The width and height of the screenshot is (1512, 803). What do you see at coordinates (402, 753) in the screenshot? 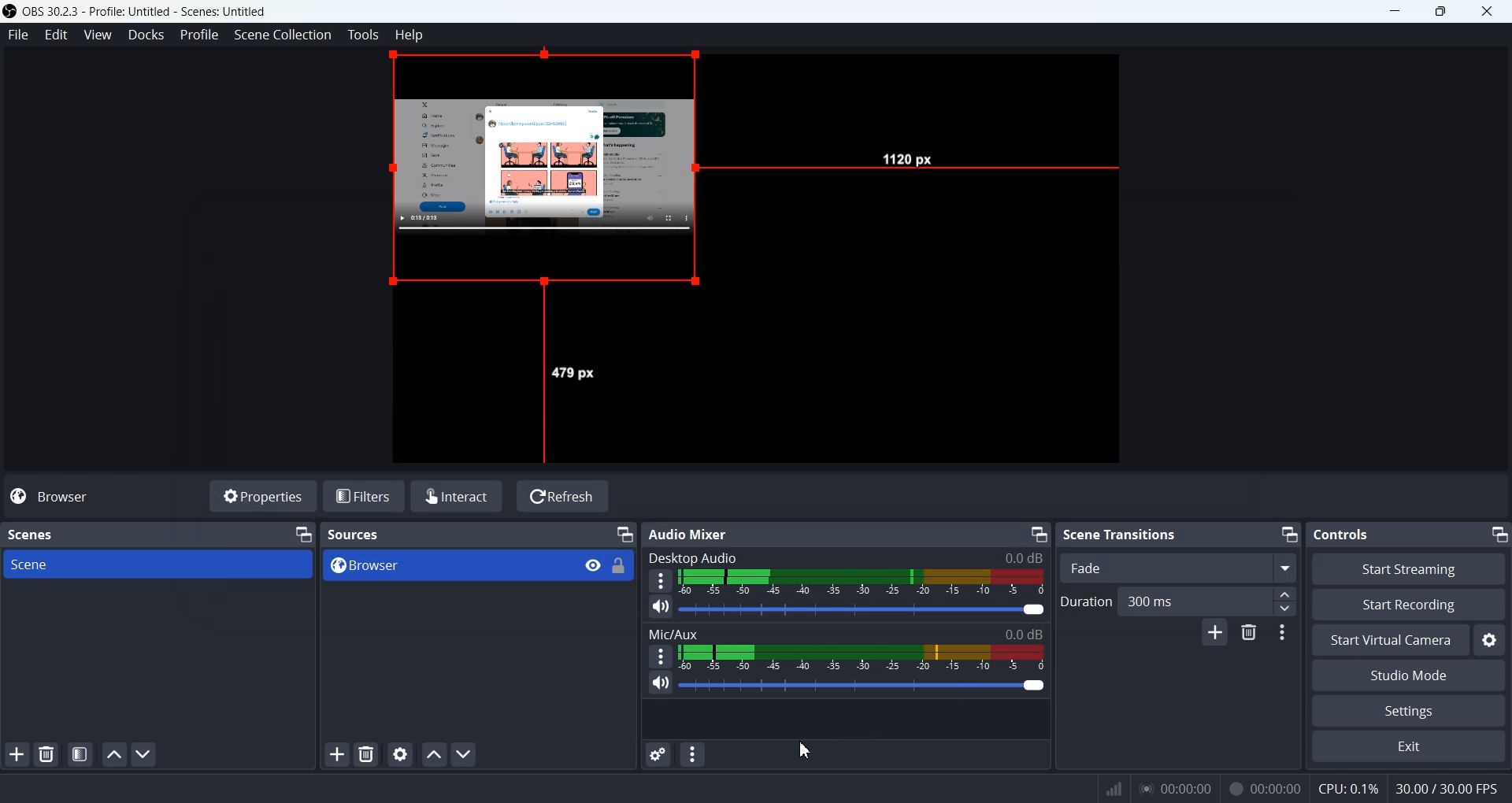
I see `Open source properties` at bounding box center [402, 753].